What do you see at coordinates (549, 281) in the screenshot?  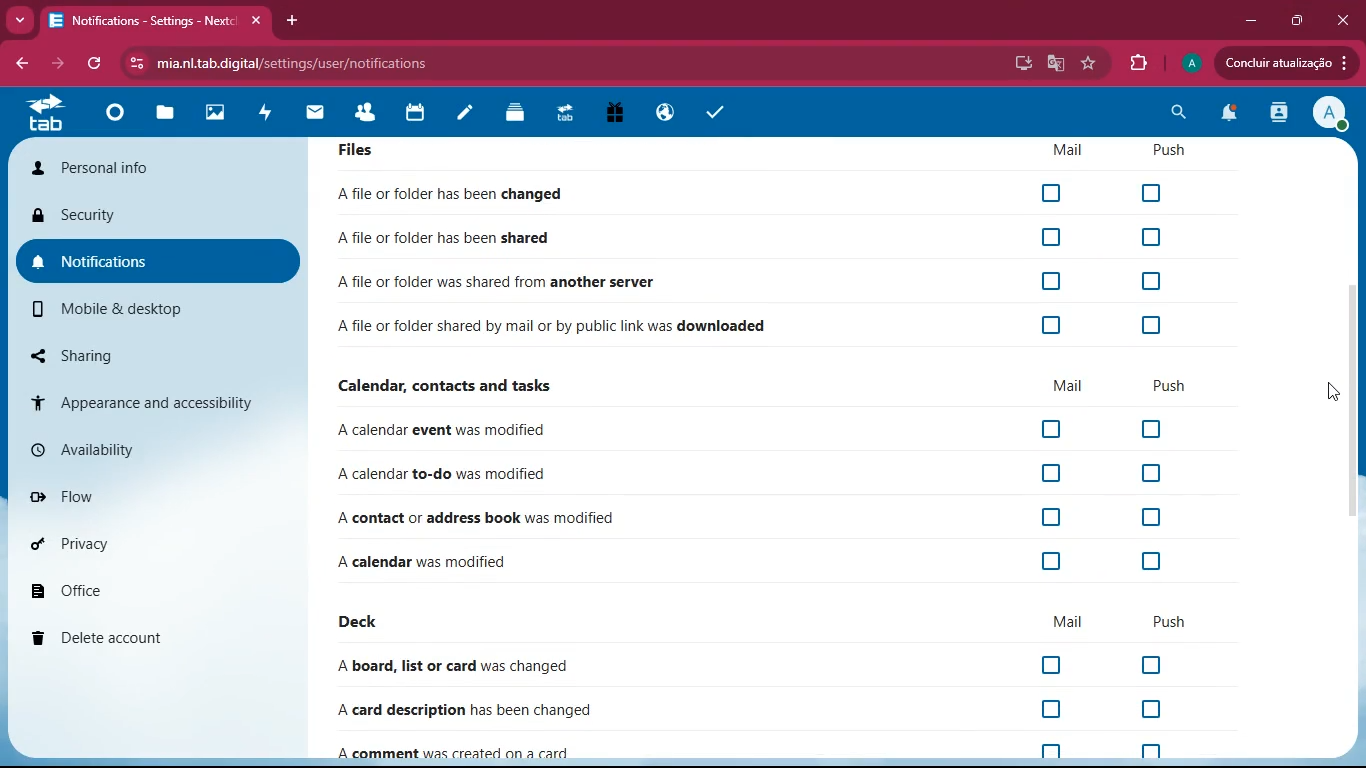 I see `file shared from another server` at bounding box center [549, 281].